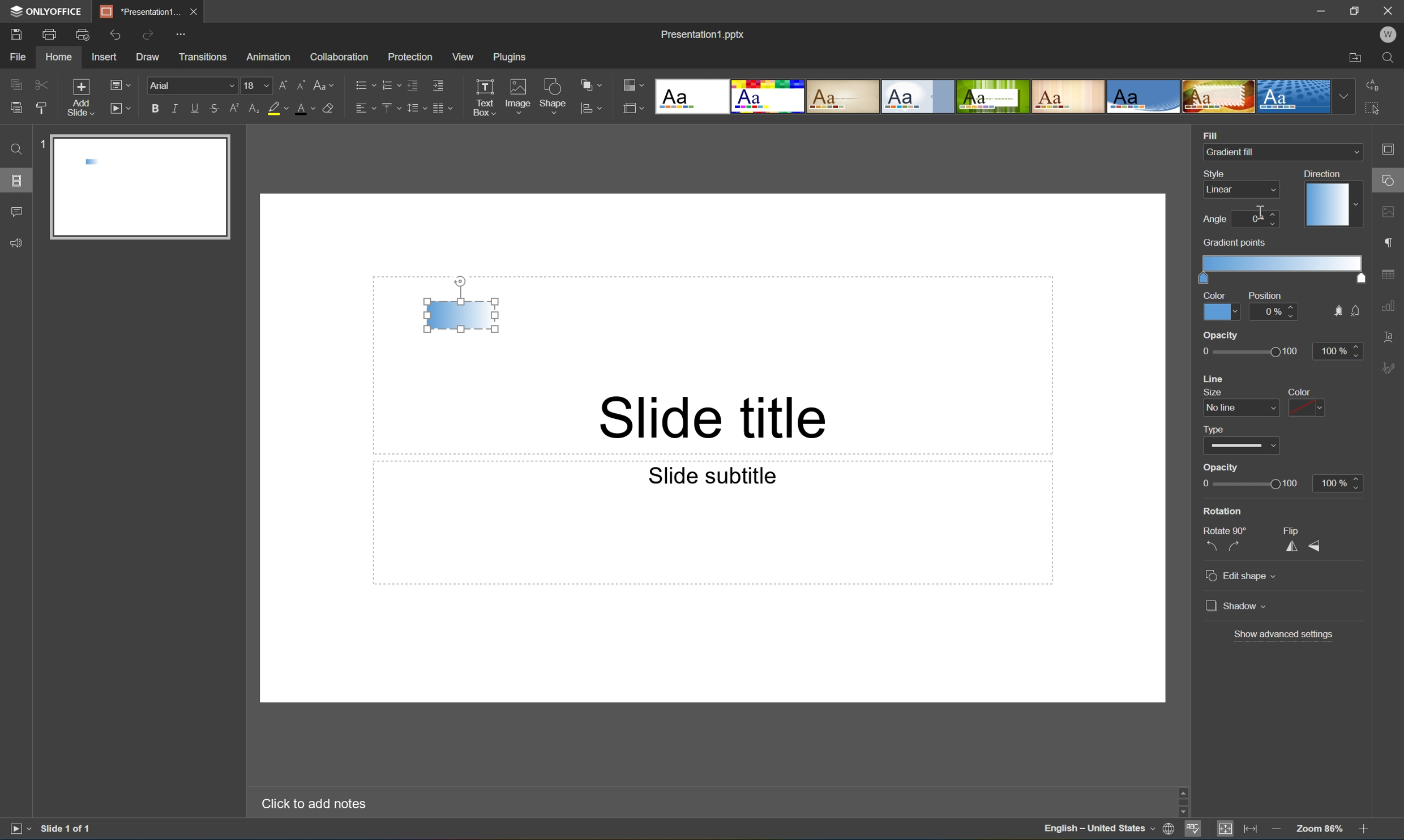  What do you see at coordinates (13, 108) in the screenshot?
I see `Paste` at bounding box center [13, 108].